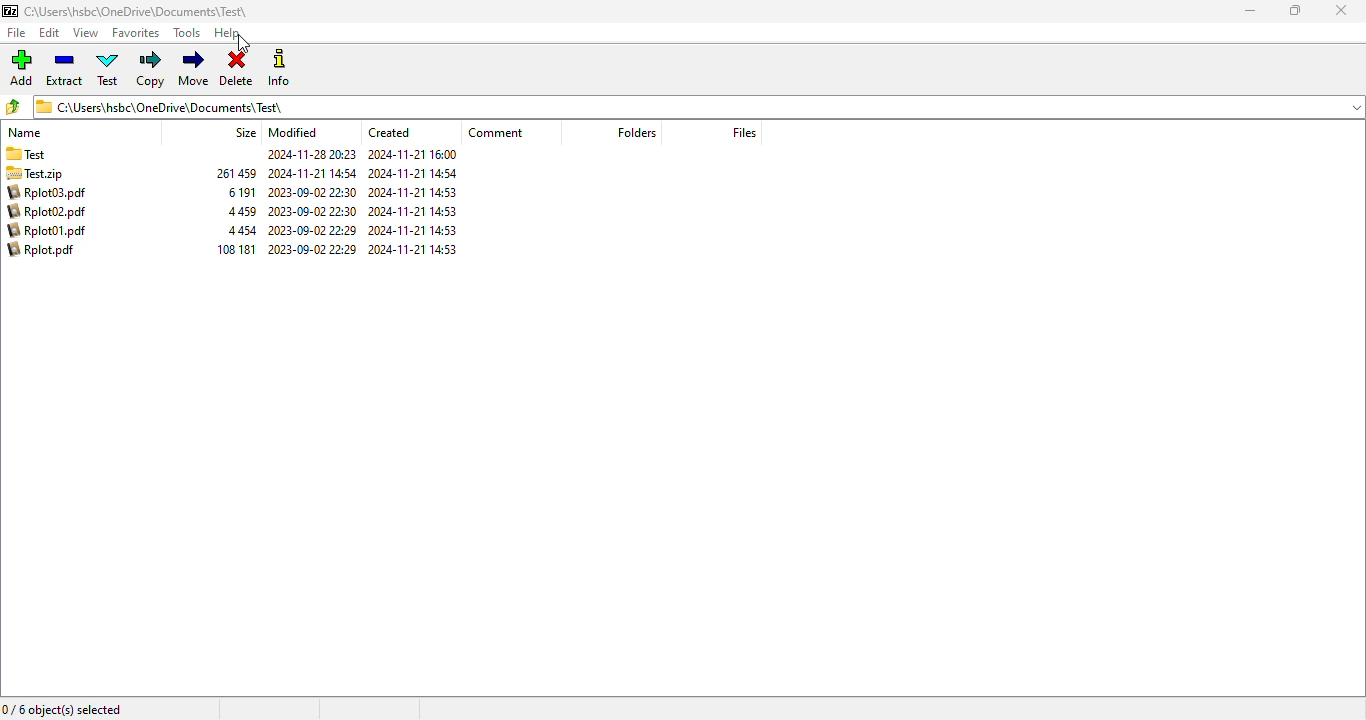  Describe the element at coordinates (293, 133) in the screenshot. I see `modified` at that location.